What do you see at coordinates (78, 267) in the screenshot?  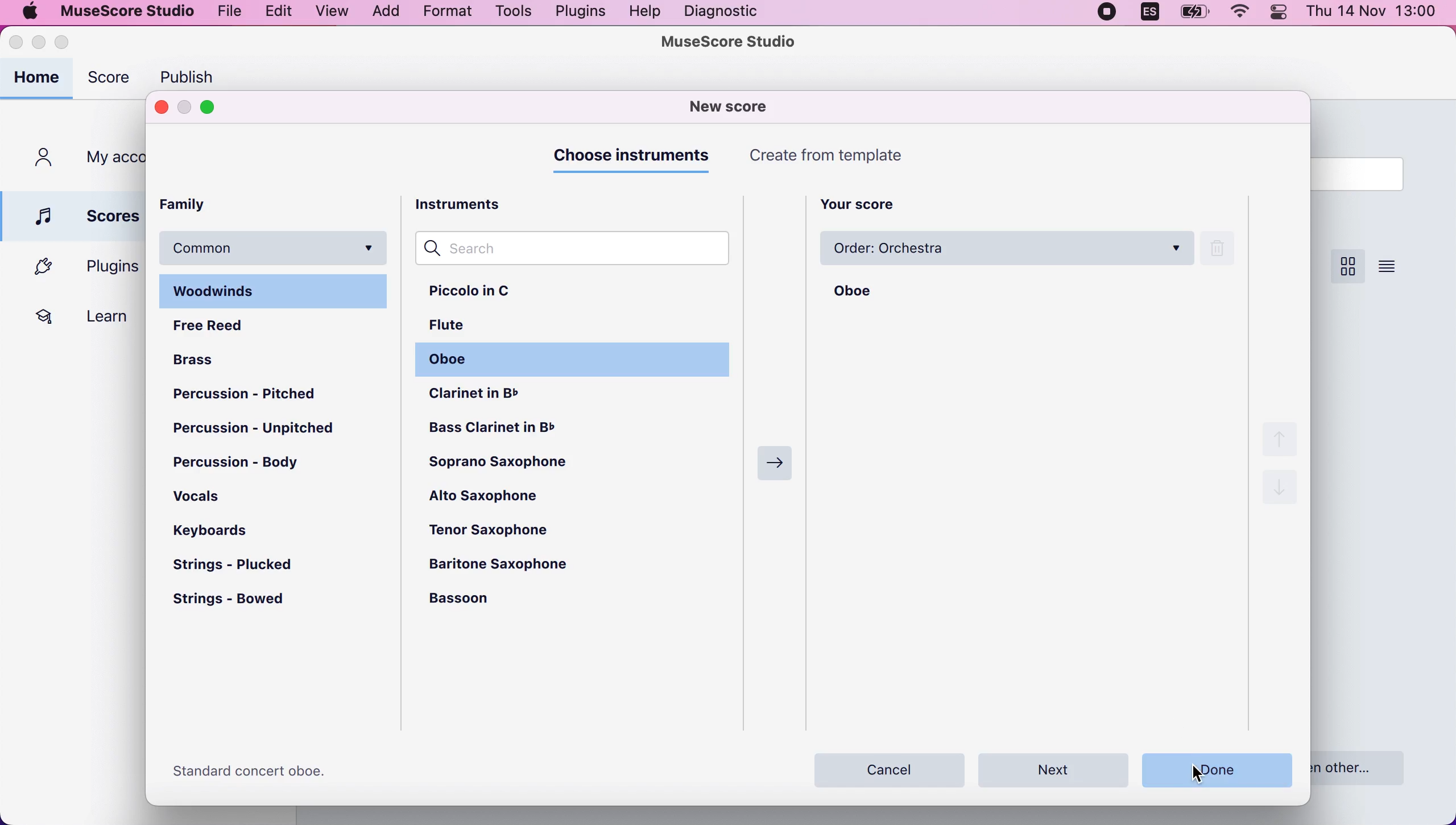 I see `plugins` at bounding box center [78, 267].